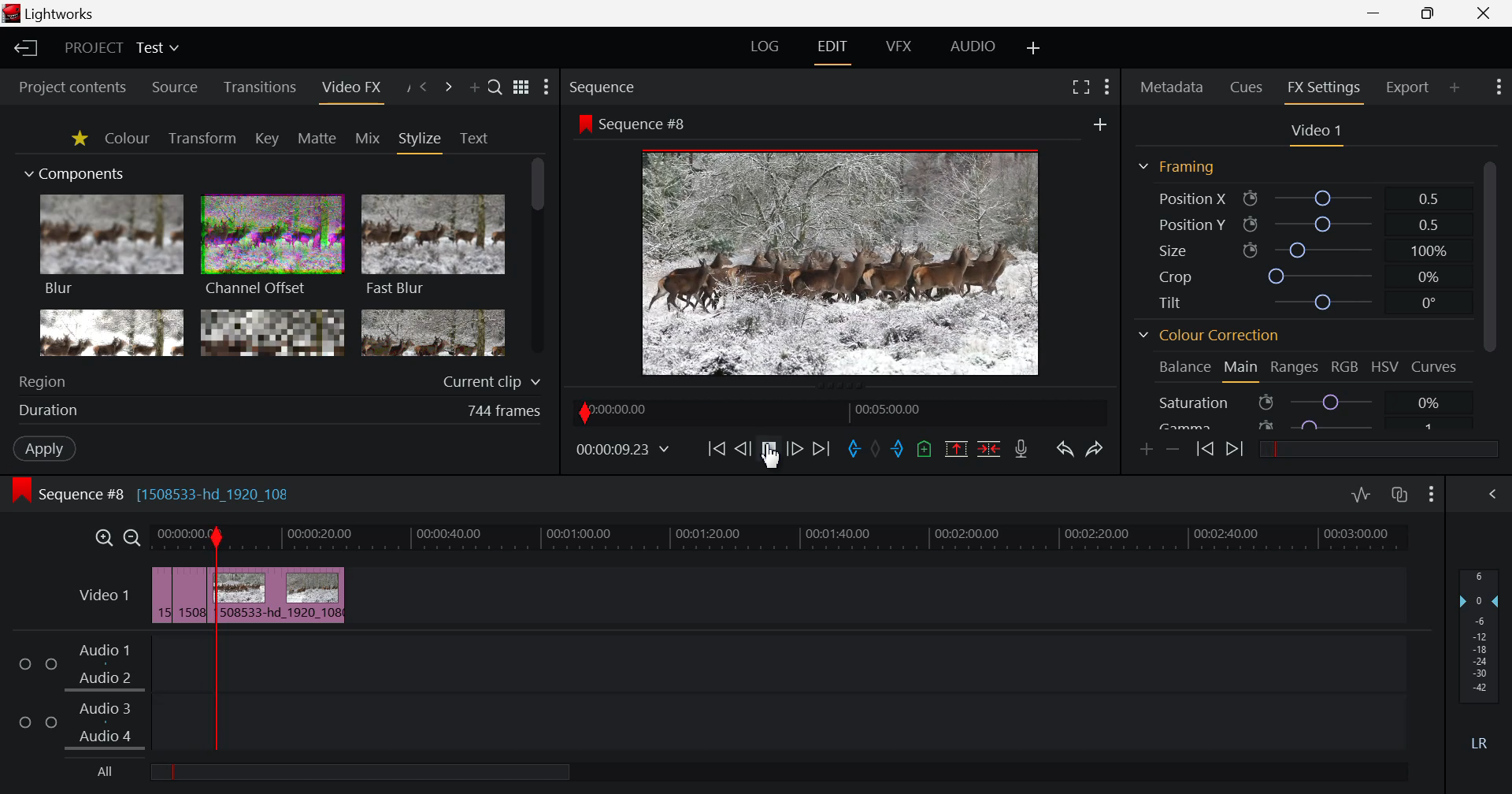  Describe the element at coordinates (474, 139) in the screenshot. I see `Text` at that location.